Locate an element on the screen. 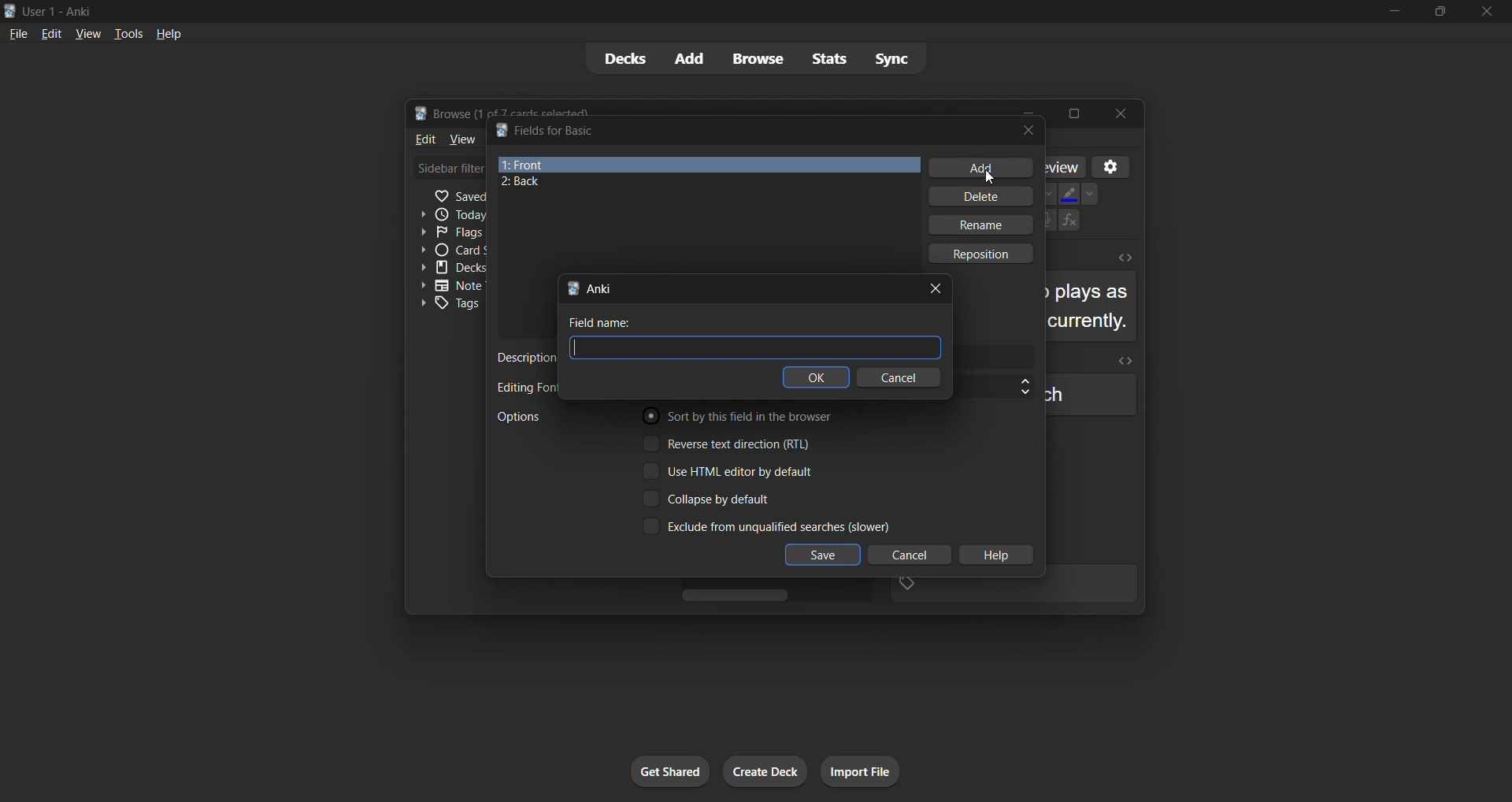  Fill color is located at coordinates (1067, 192).